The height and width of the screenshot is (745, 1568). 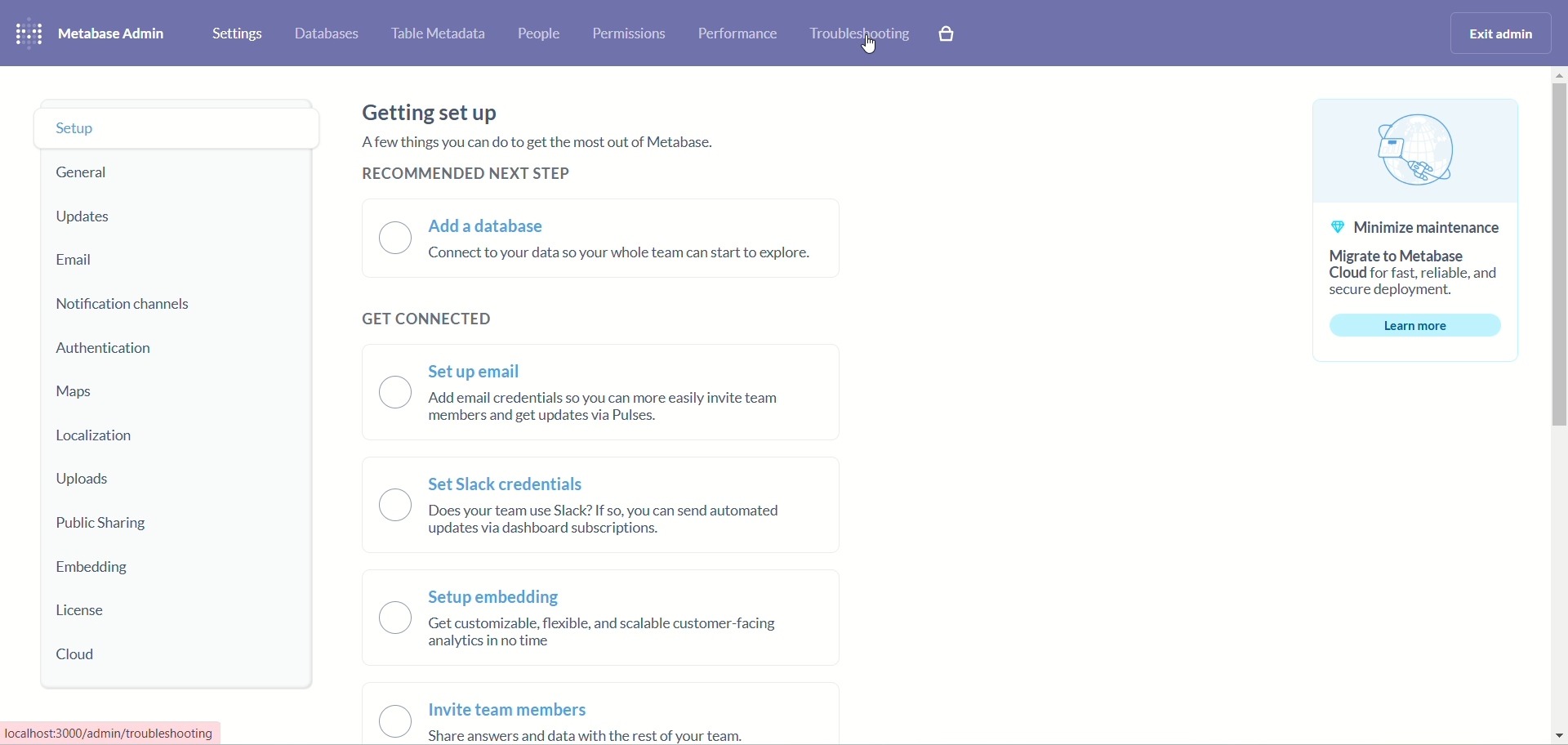 I want to click on uploads, so click(x=80, y=480).